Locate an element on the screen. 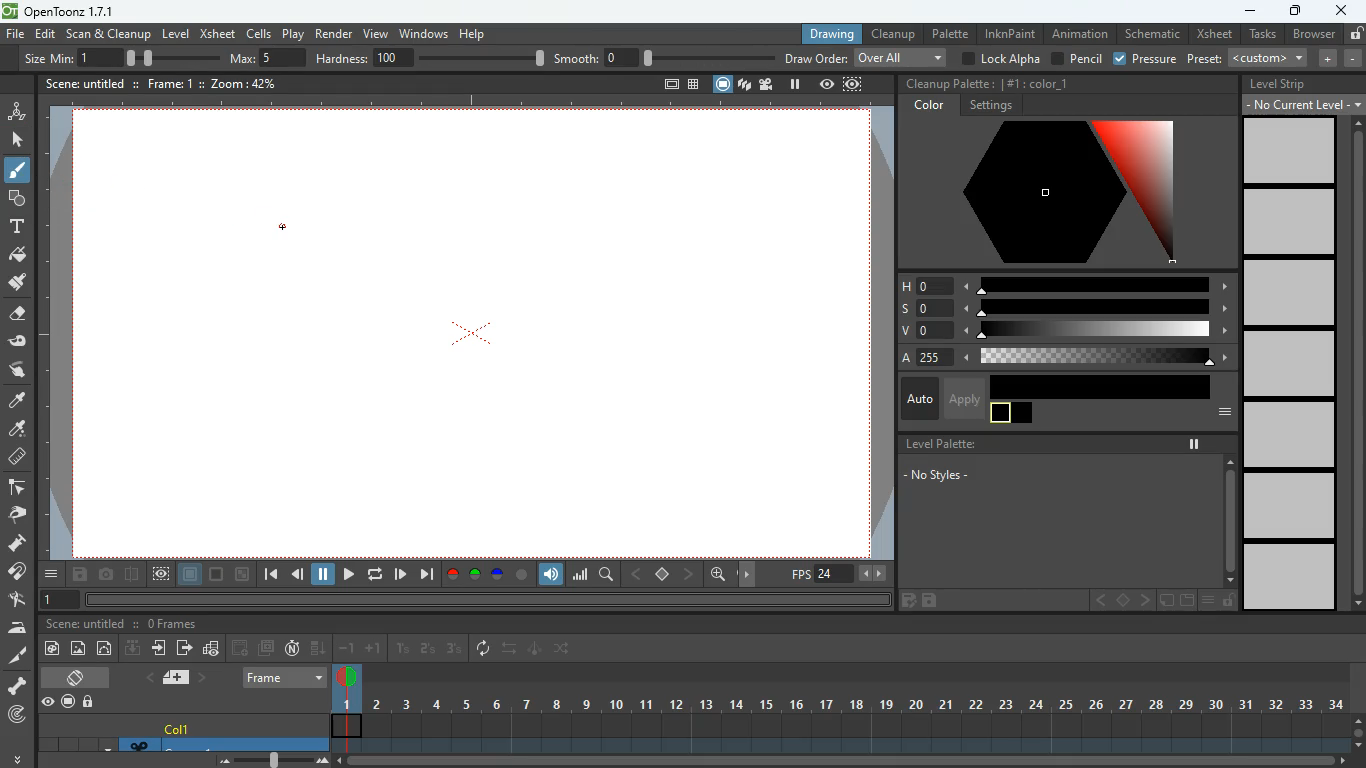  pump is located at coordinates (17, 544).